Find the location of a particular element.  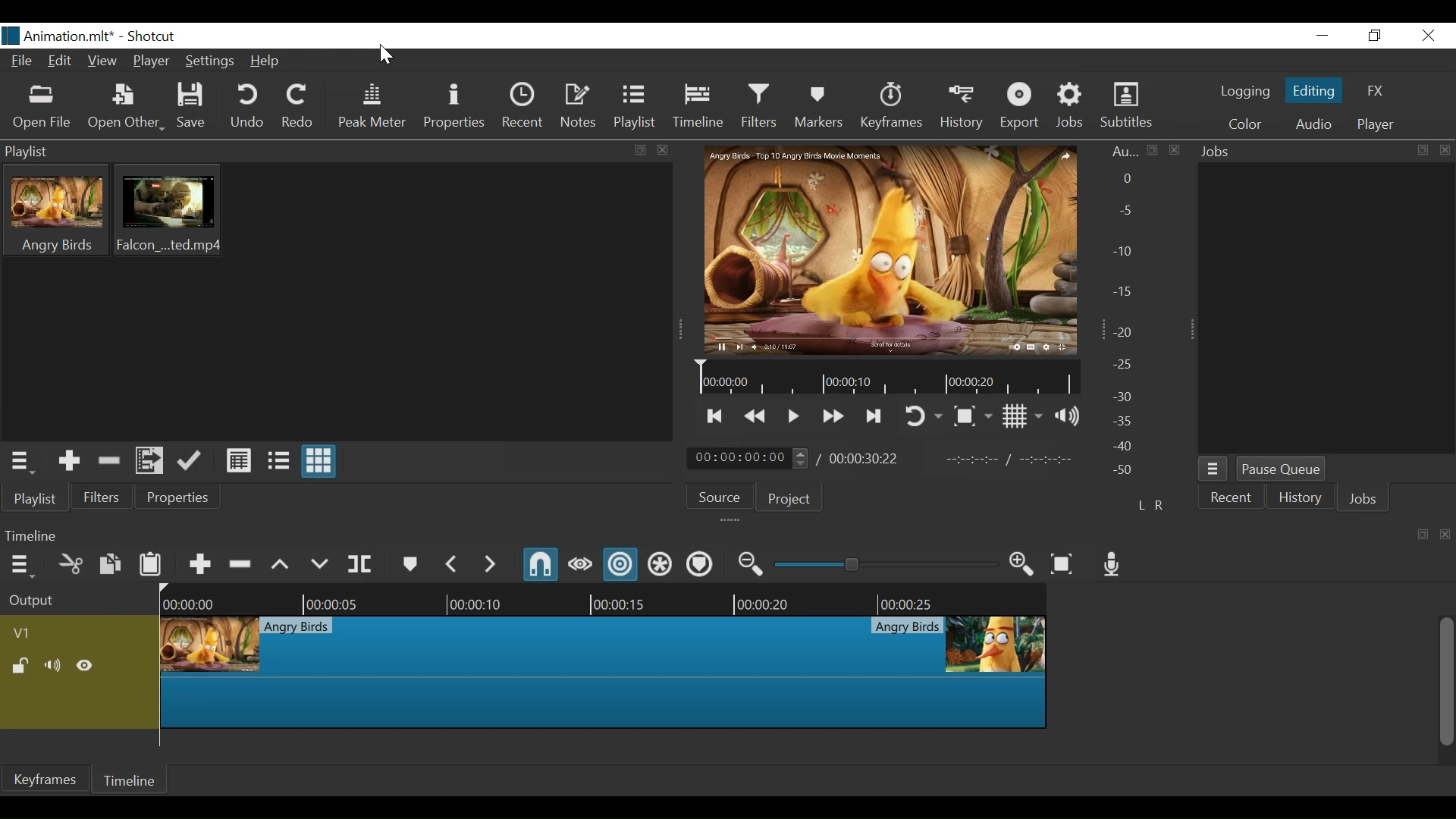

Zoom timeline out is located at coordinates (752, 564).